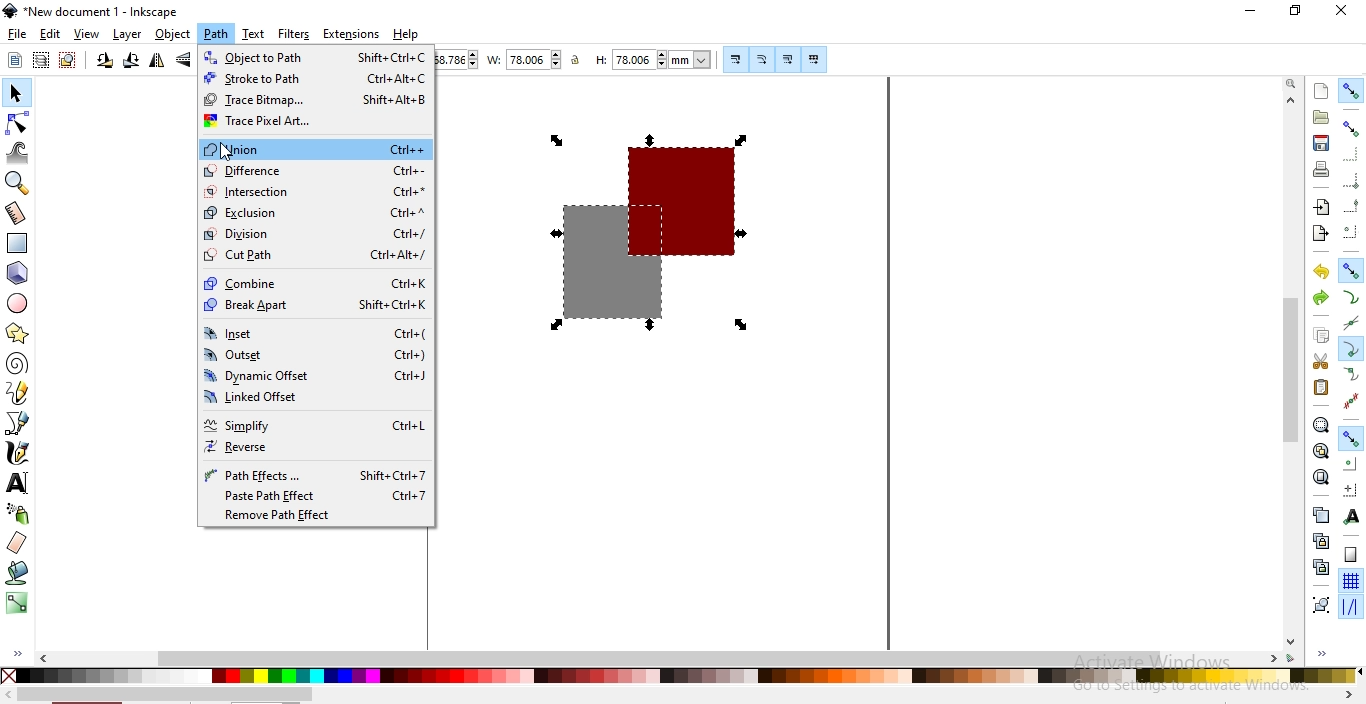 This screenshot has height=704, width=1366. Describe the element at coordinates (1320, 208) in the screenshot. I see `import a bitmap` at that location.